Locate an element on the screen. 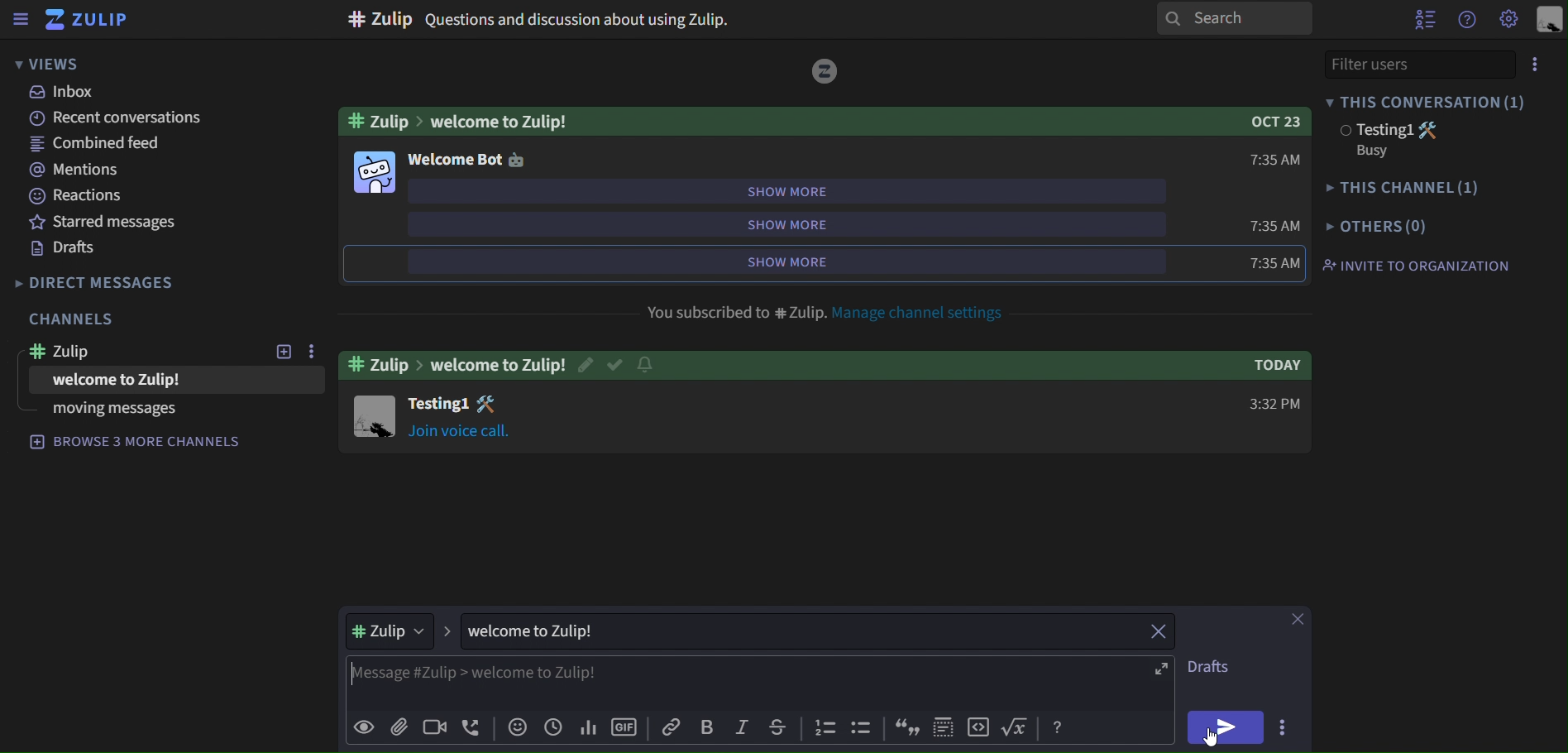 This screenshot has width=1568, height=753. add video  call is located at coordinates (434, 728).